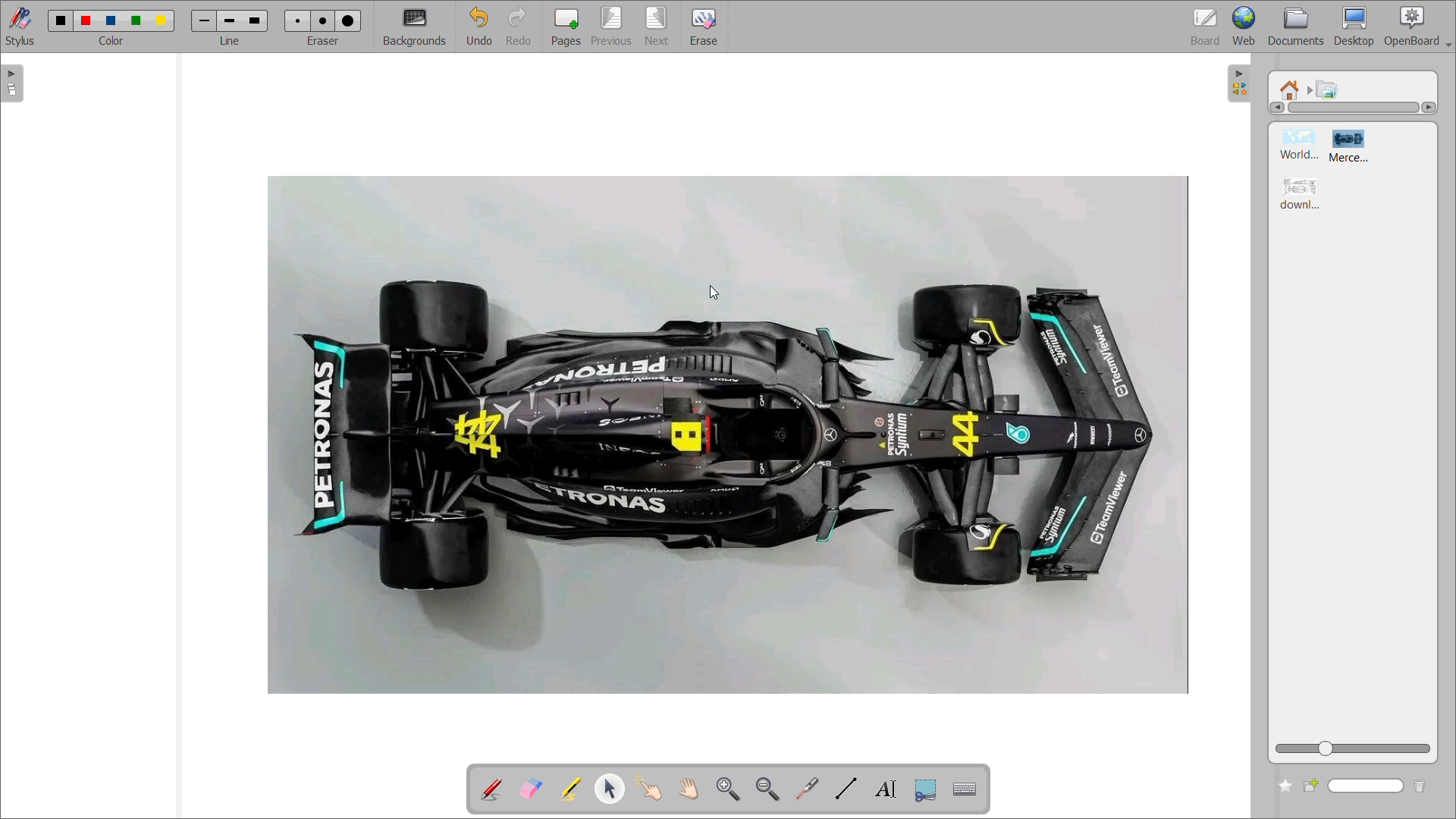 The height and width of the screenshot is (819, 1456). I want to click on image 3, so click(1302, 191).